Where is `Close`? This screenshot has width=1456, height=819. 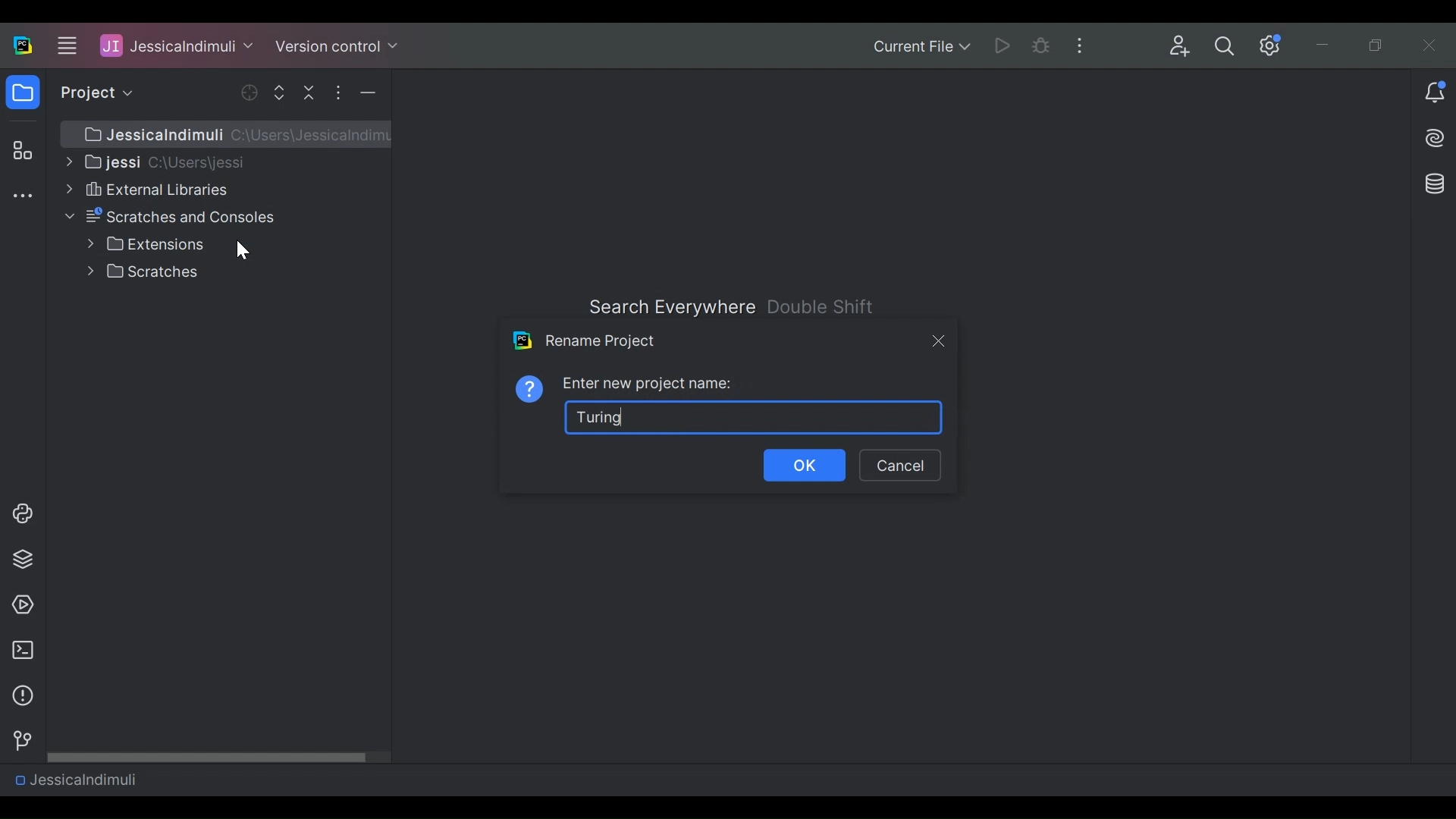 Close is located at coordinates (1431, 45).